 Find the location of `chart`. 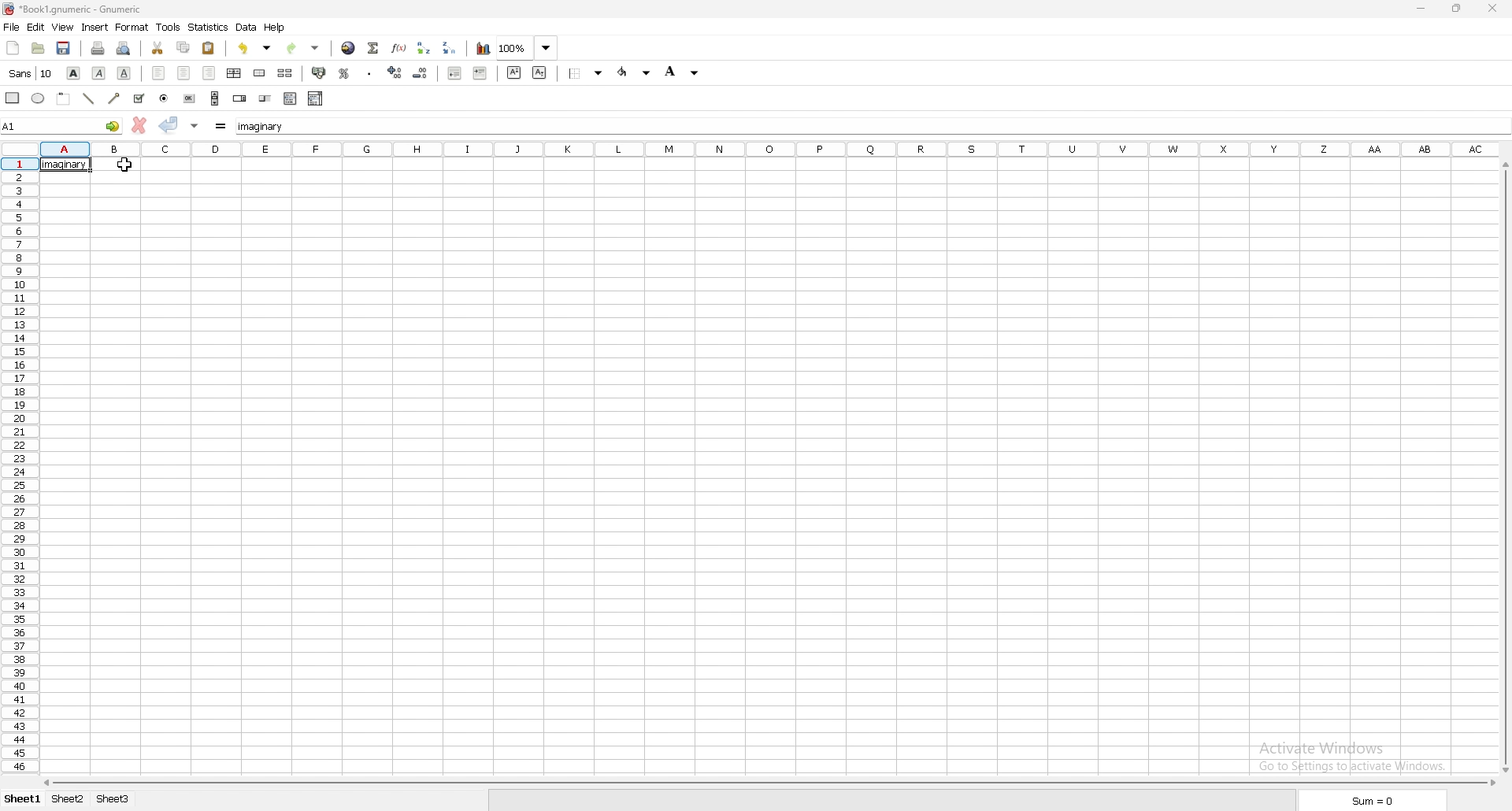

chart is located at coordinates (483, 49).